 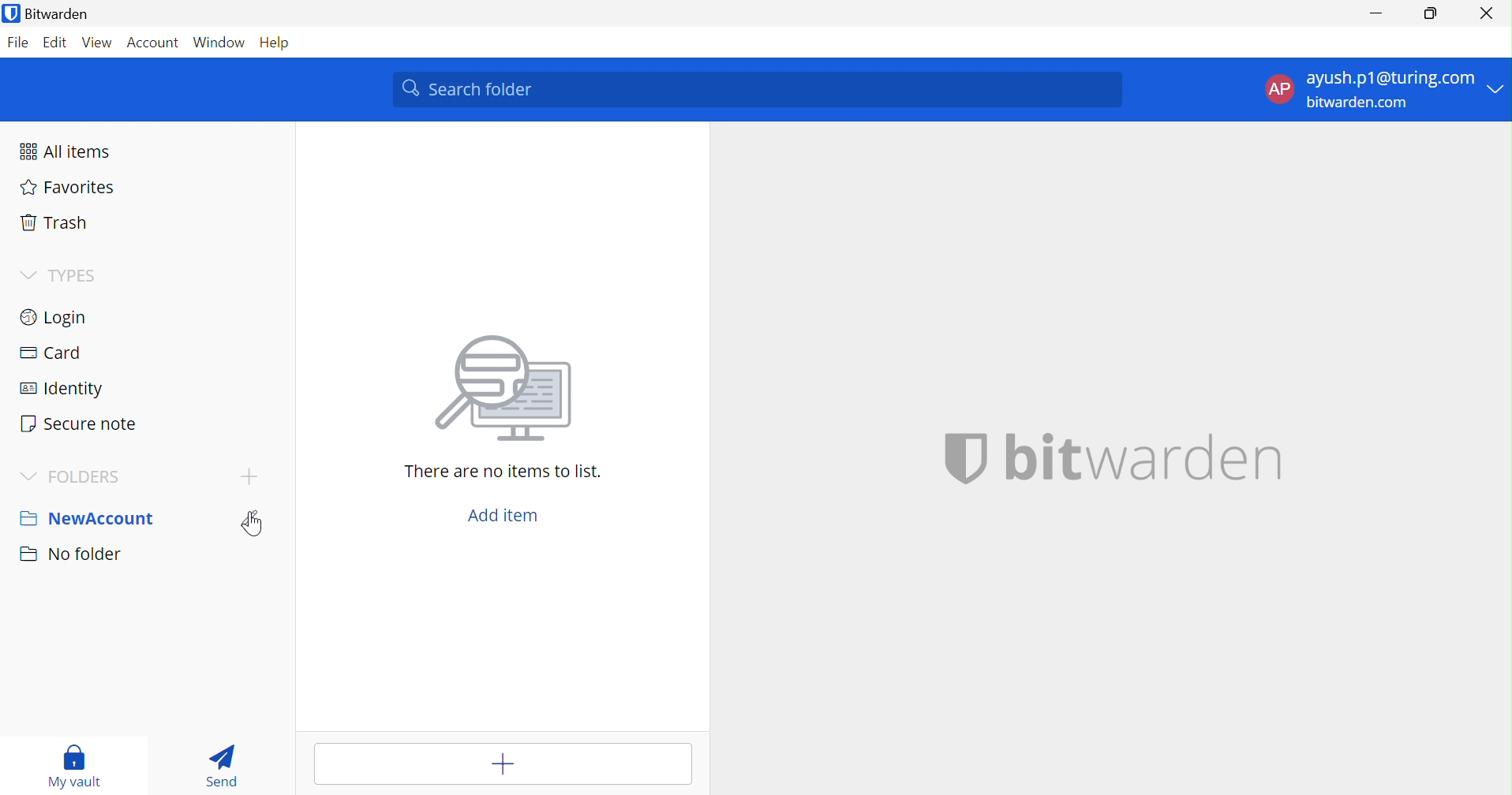 I want to click on bitwarden logo, so click(x=955, y=457).